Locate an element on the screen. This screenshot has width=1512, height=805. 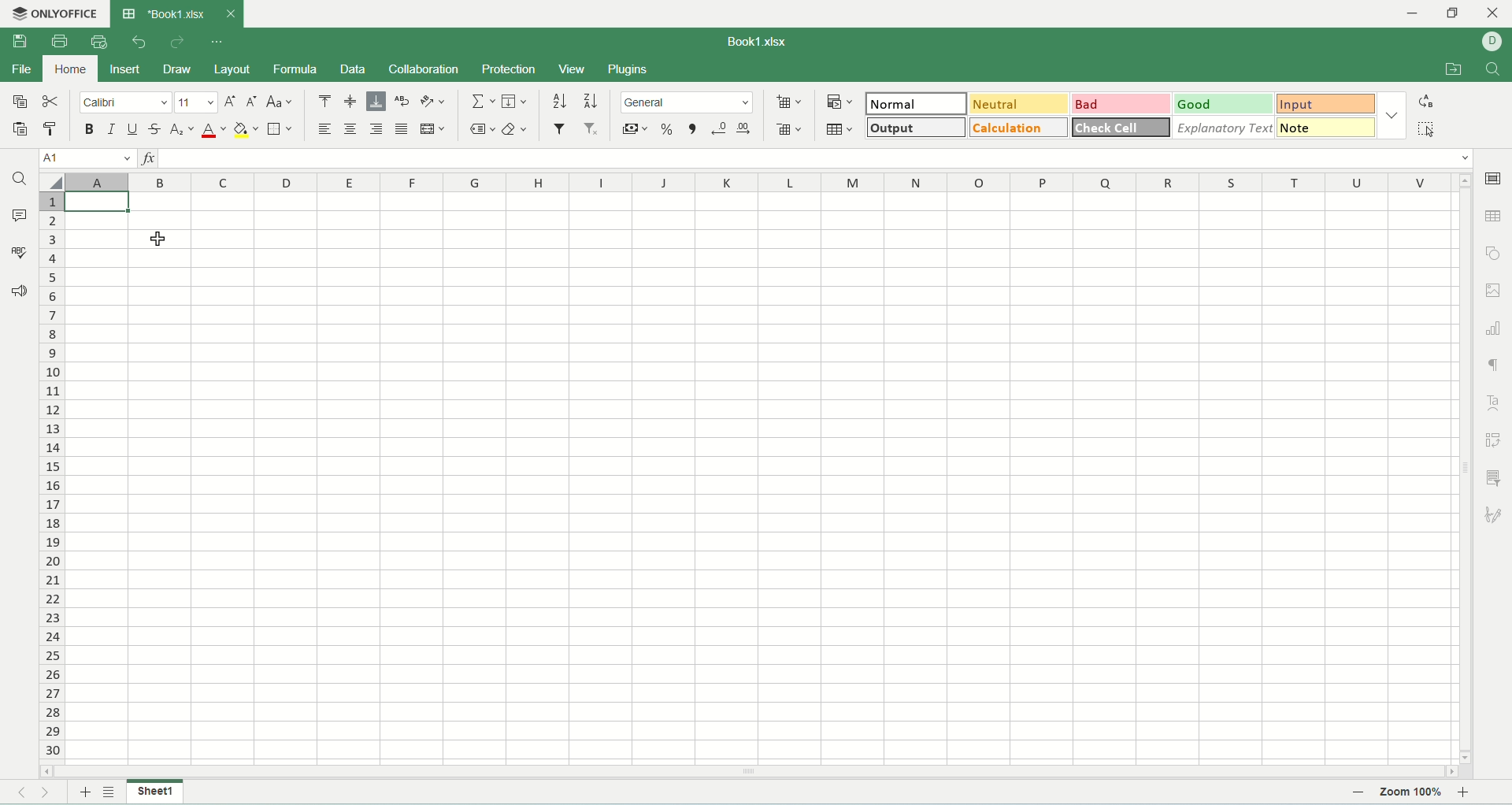
copy is located at coordinates (20, 101).